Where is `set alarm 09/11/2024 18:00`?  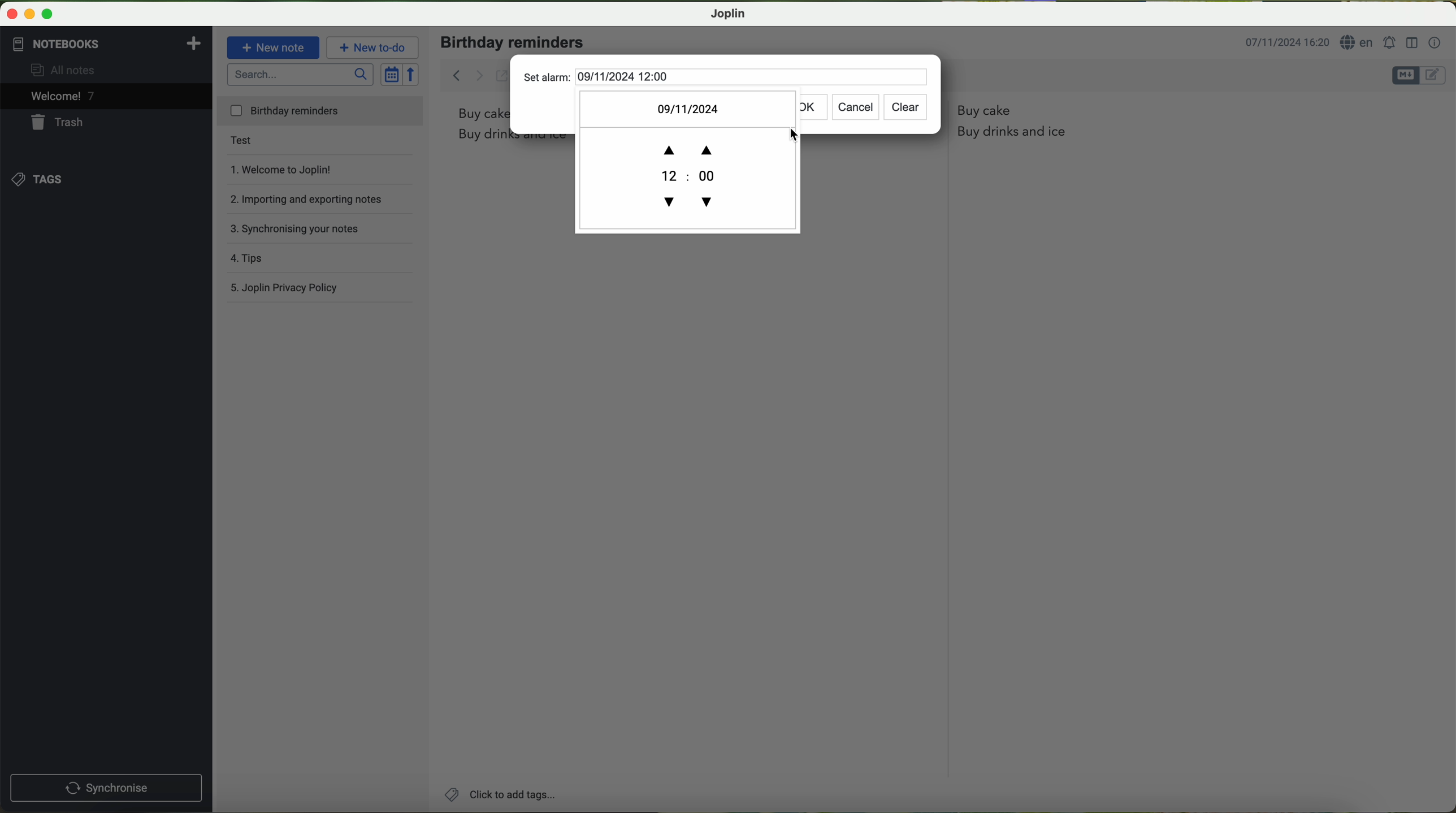
set alarm 09/11/2024 18:00 is located at coordinates (634, 77).